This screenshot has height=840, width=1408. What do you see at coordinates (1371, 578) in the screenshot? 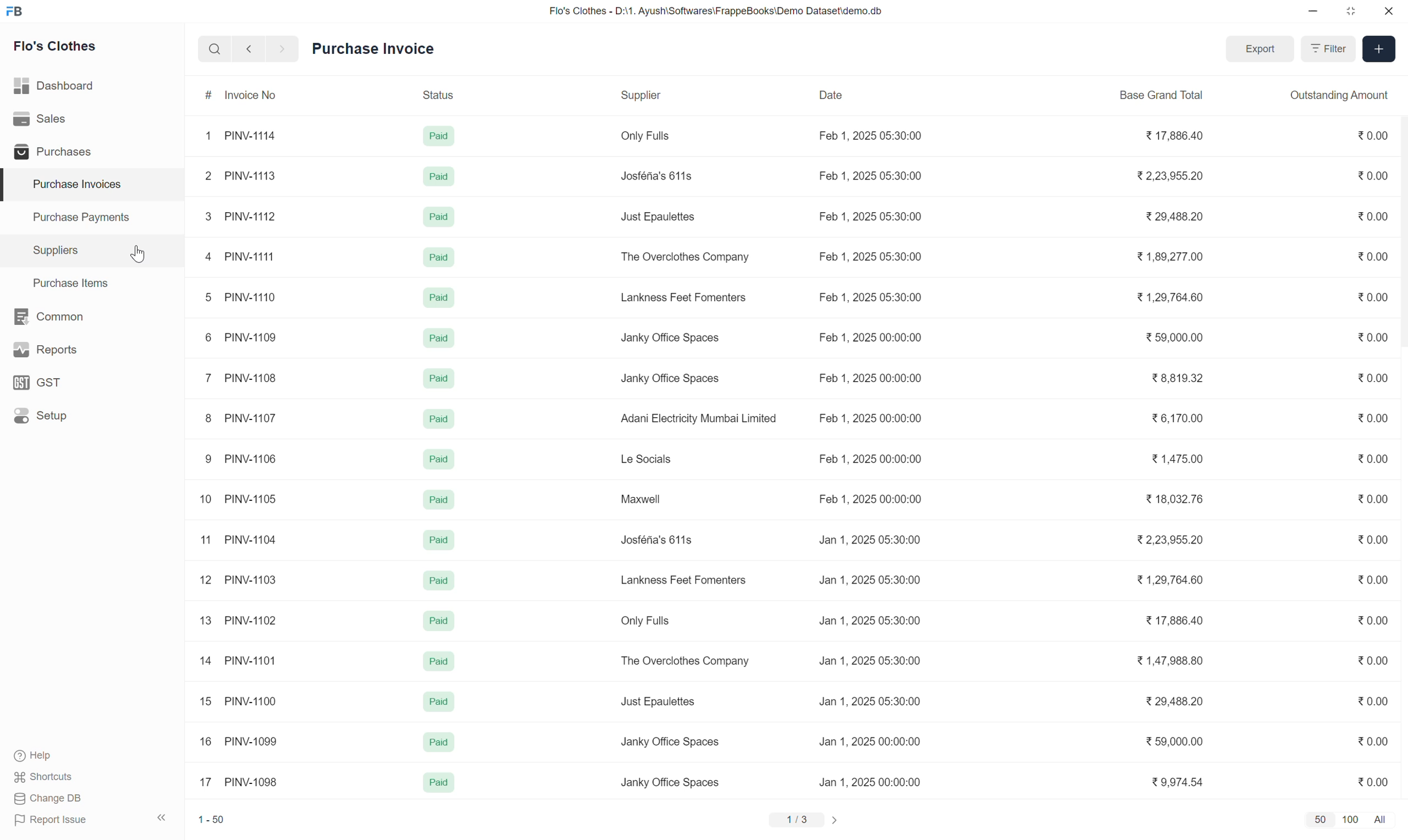
I see `0.00` at bounding box center [1371, 578].